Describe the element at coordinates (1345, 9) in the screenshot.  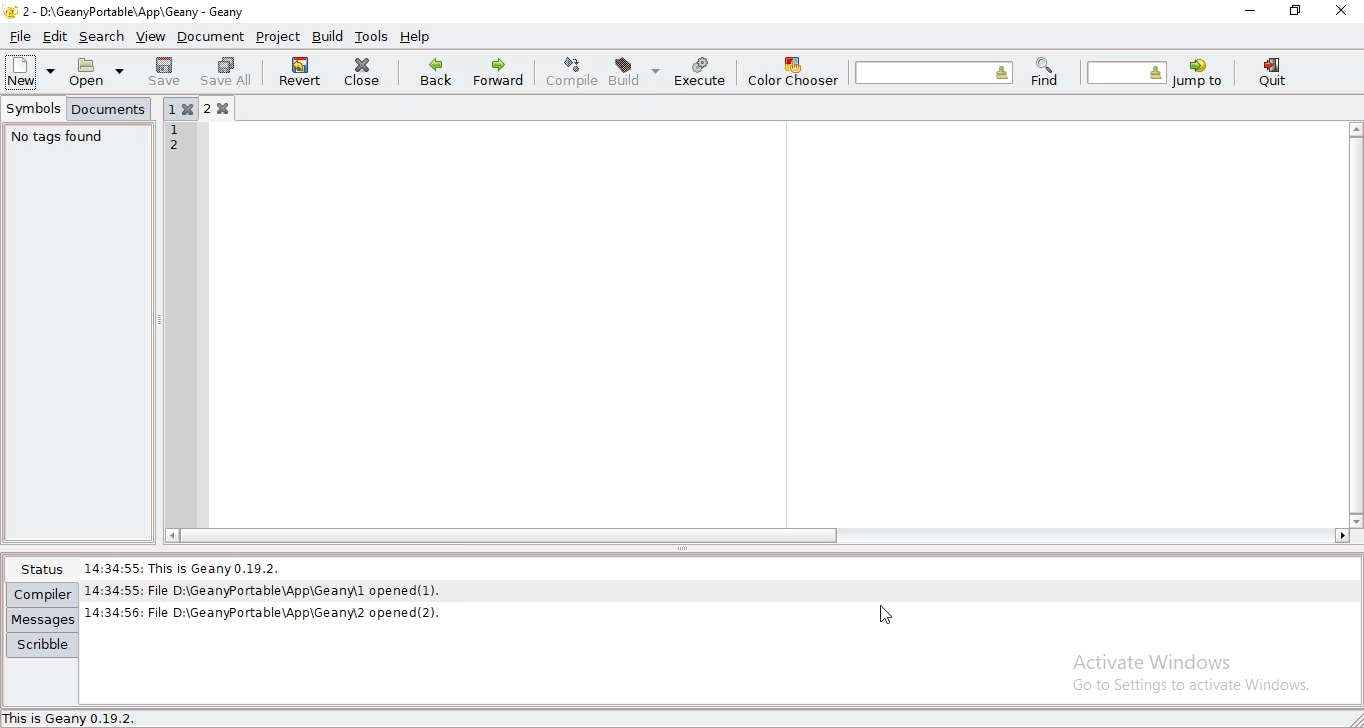
I see `close` at that location.